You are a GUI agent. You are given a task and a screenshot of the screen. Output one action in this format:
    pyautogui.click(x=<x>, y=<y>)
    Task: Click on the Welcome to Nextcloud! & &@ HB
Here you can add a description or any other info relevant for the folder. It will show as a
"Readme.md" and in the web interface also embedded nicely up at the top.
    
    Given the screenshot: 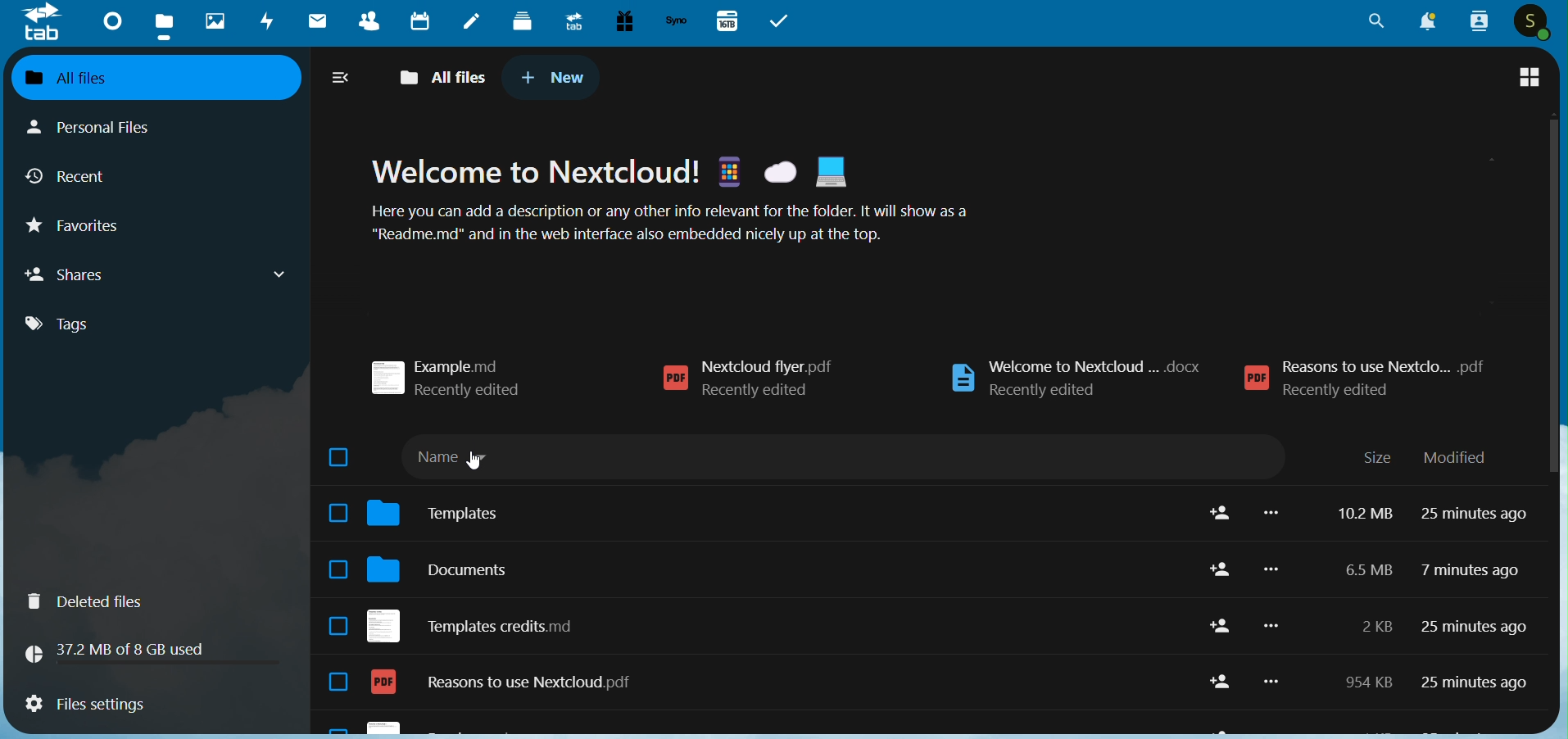 What is the action you would take?
    pyautogui.click(x=670, y=197)
    